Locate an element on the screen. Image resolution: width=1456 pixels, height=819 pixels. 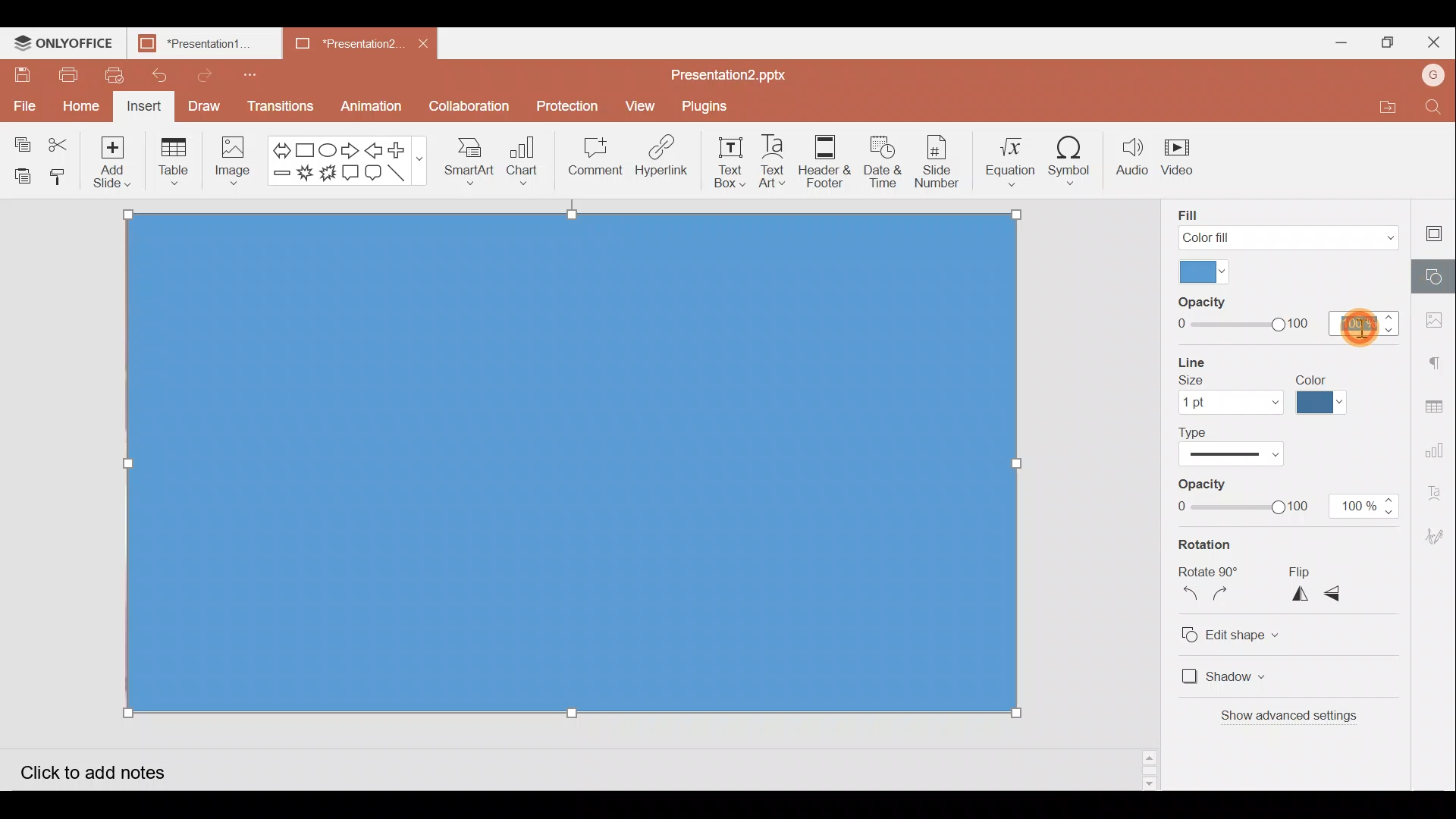
Line size is located at coordinates (1230, 387).